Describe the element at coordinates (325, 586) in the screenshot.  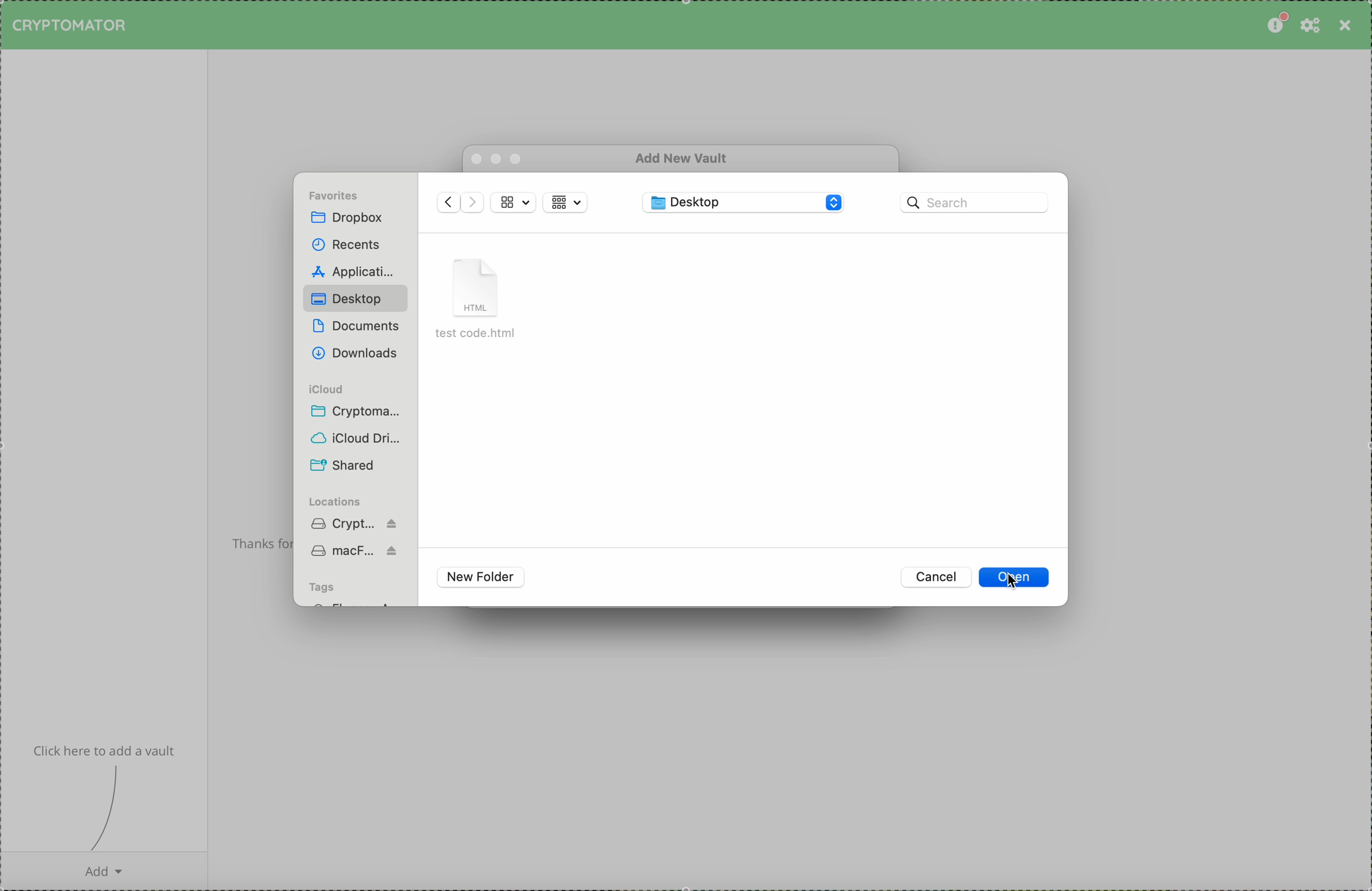
I see `tags` at that location.